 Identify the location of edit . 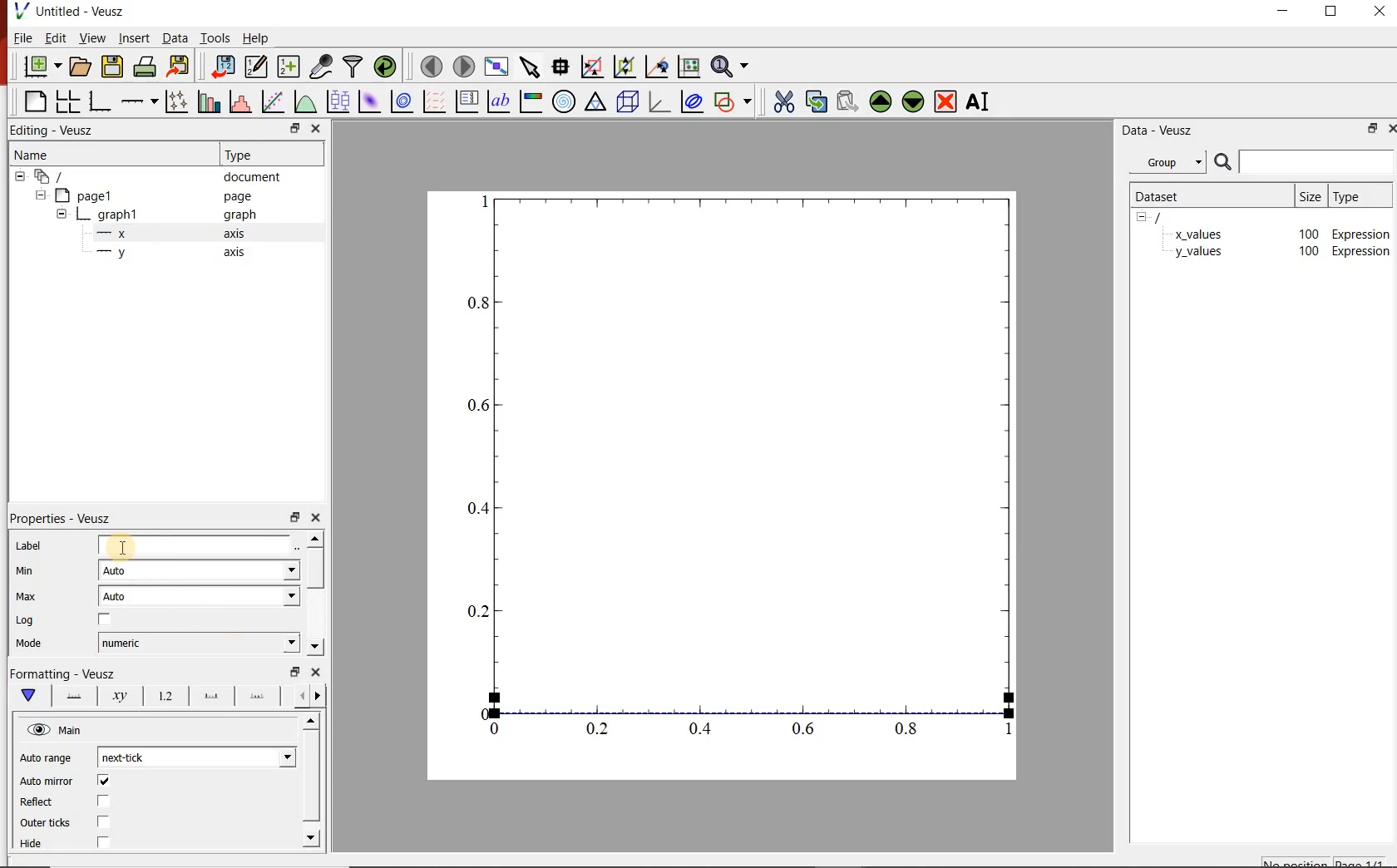
(57, 37).